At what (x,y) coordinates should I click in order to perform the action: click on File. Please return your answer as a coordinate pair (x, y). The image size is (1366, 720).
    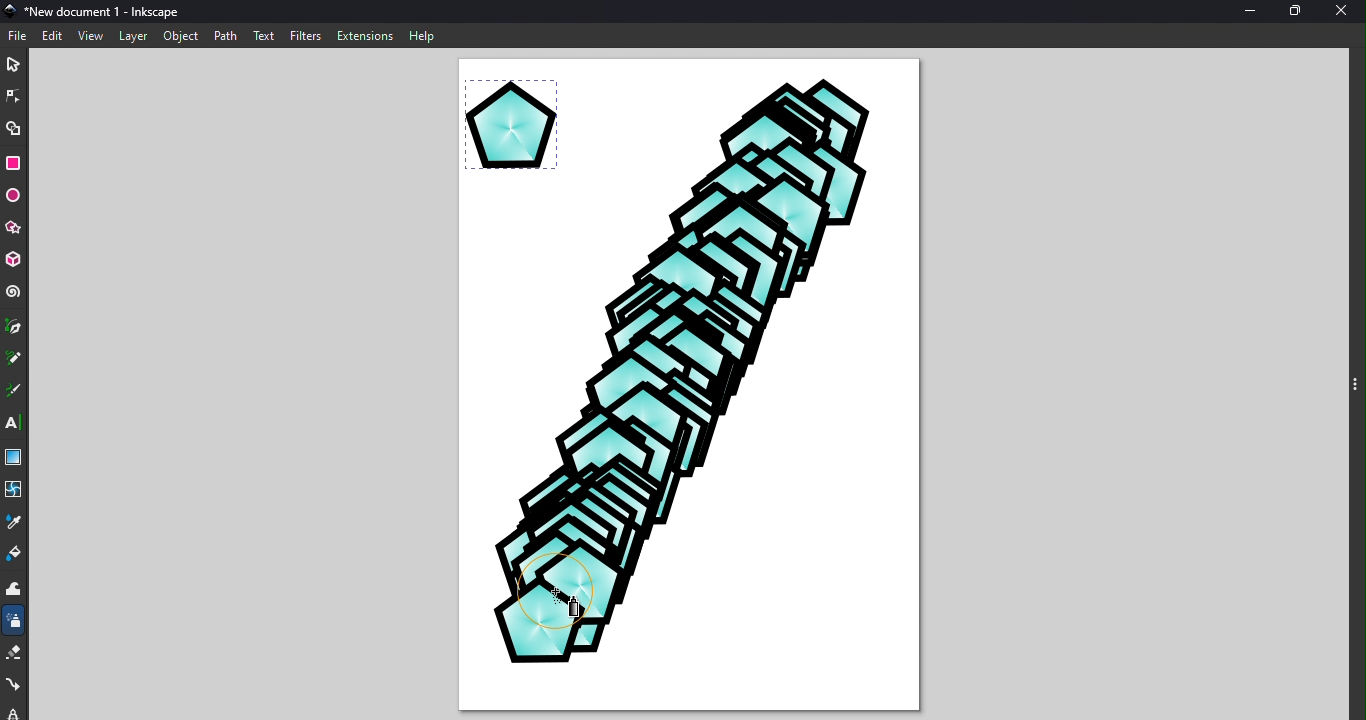
    Looking at the image, I should click on (19, 33).